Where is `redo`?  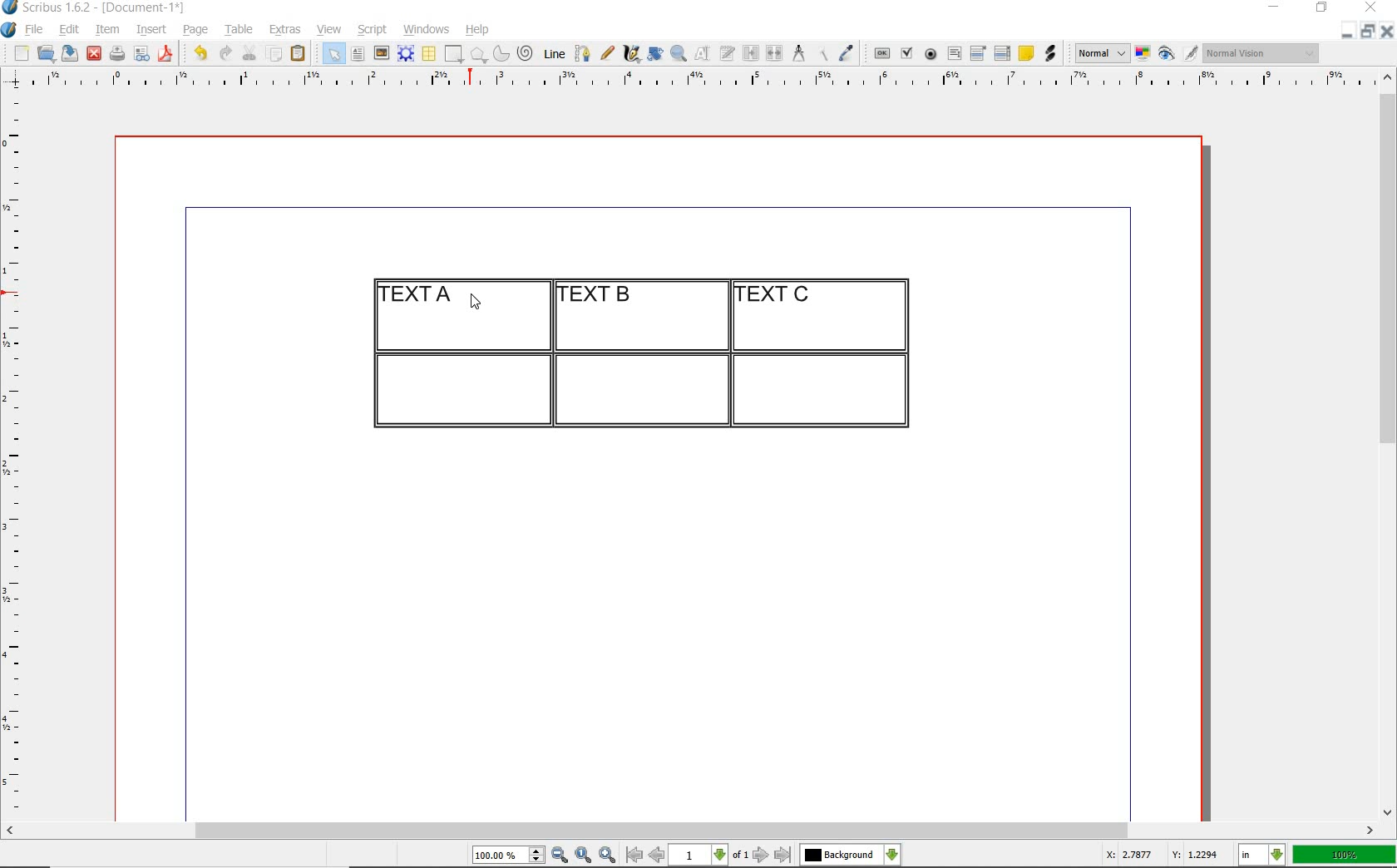 redo is located at coordinates (224, 52).